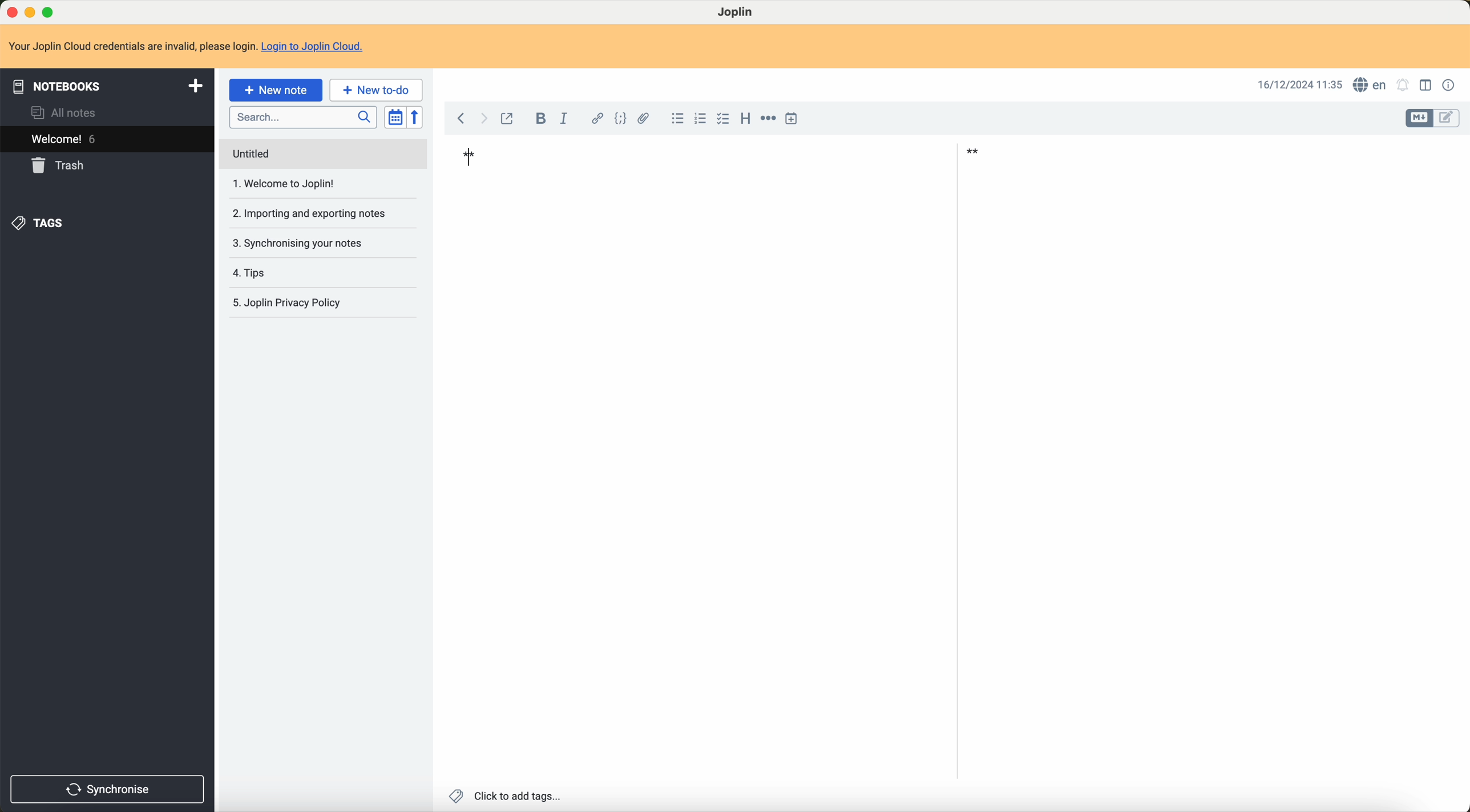  Describe the element at coordinates (30, 12) in the screenshot. I see `minimize` at that location.